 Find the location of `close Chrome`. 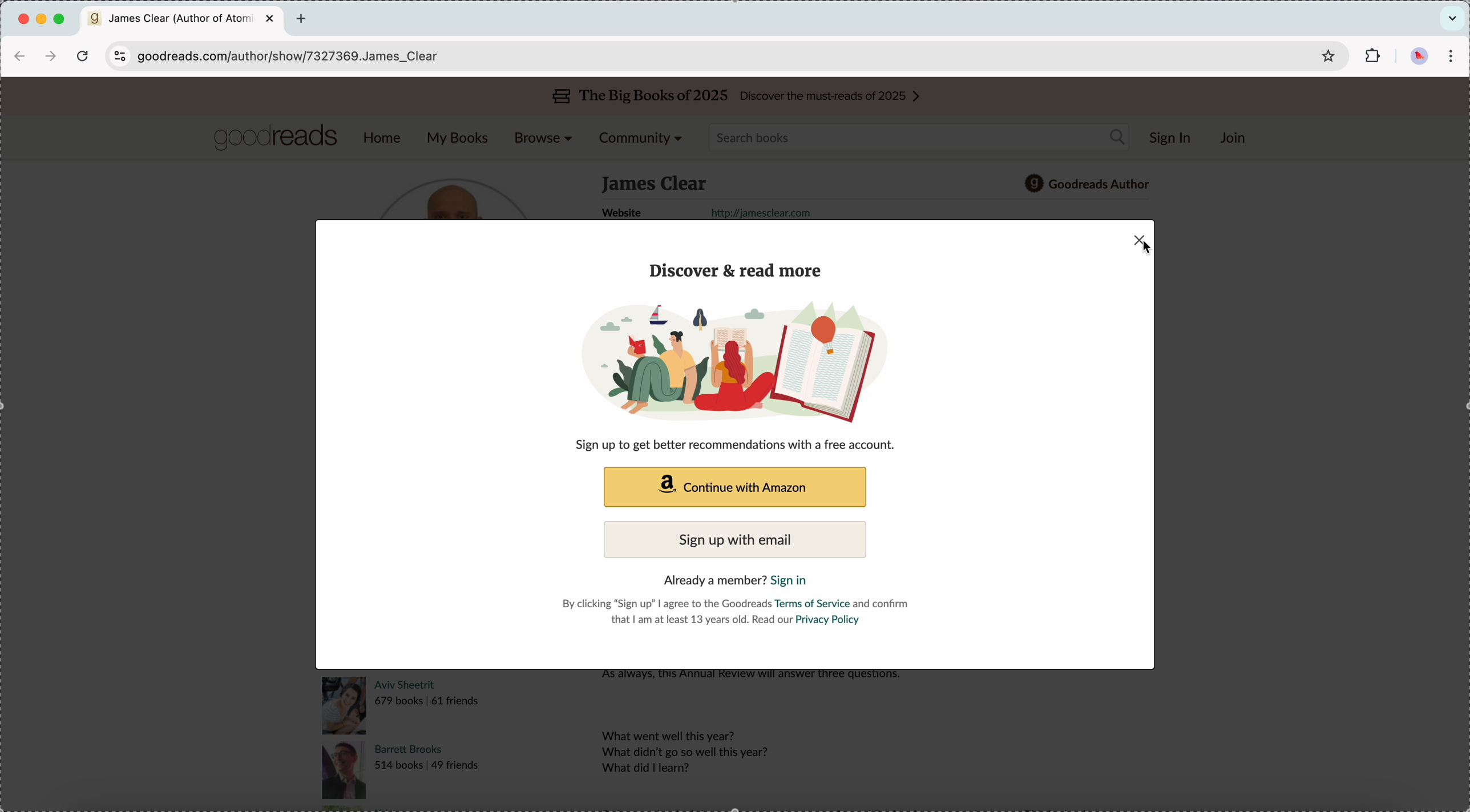

close Chrome is located at coordinates (23, 21).